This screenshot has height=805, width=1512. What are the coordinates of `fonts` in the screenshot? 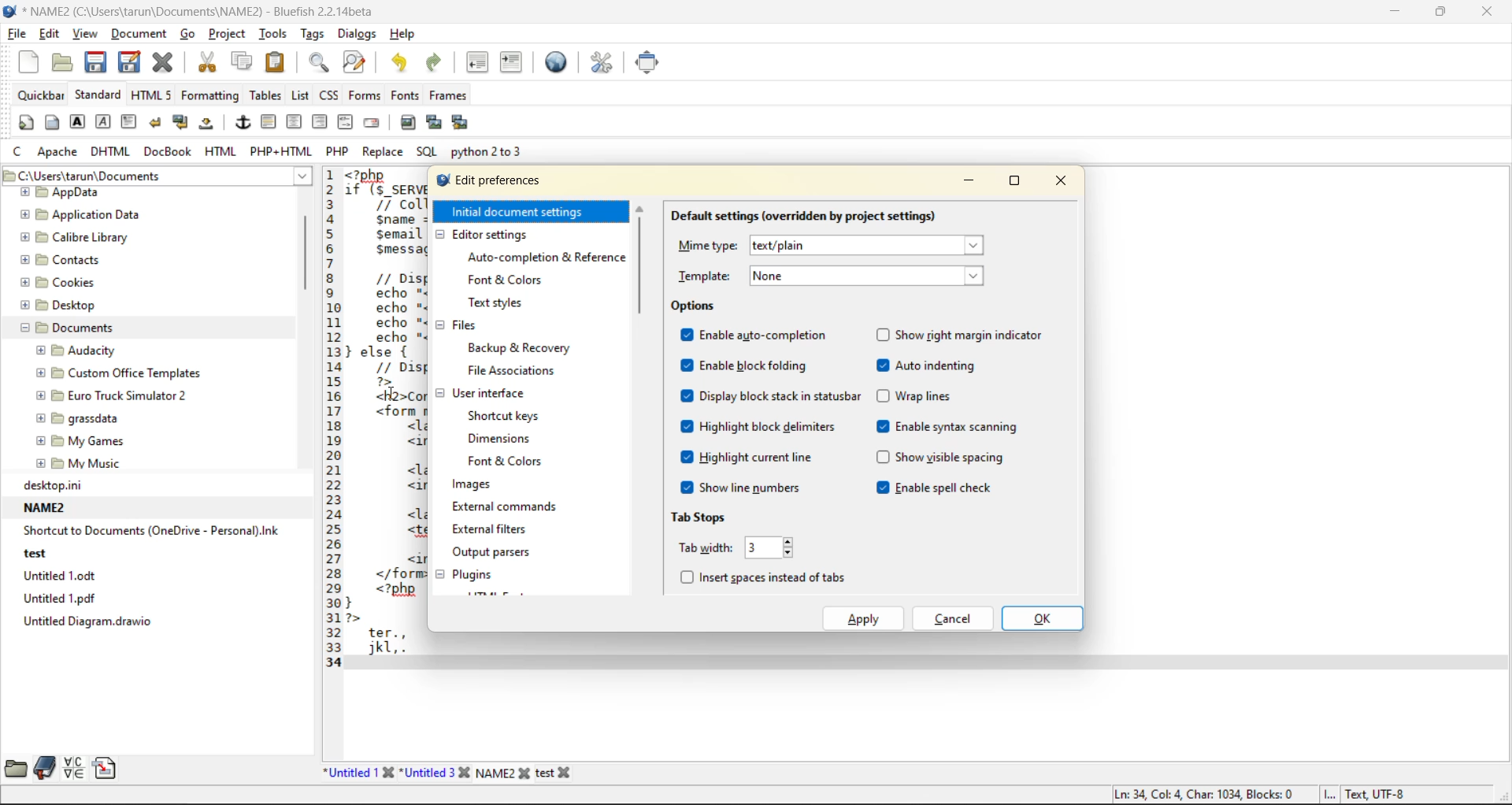 It's located at (406, 95).